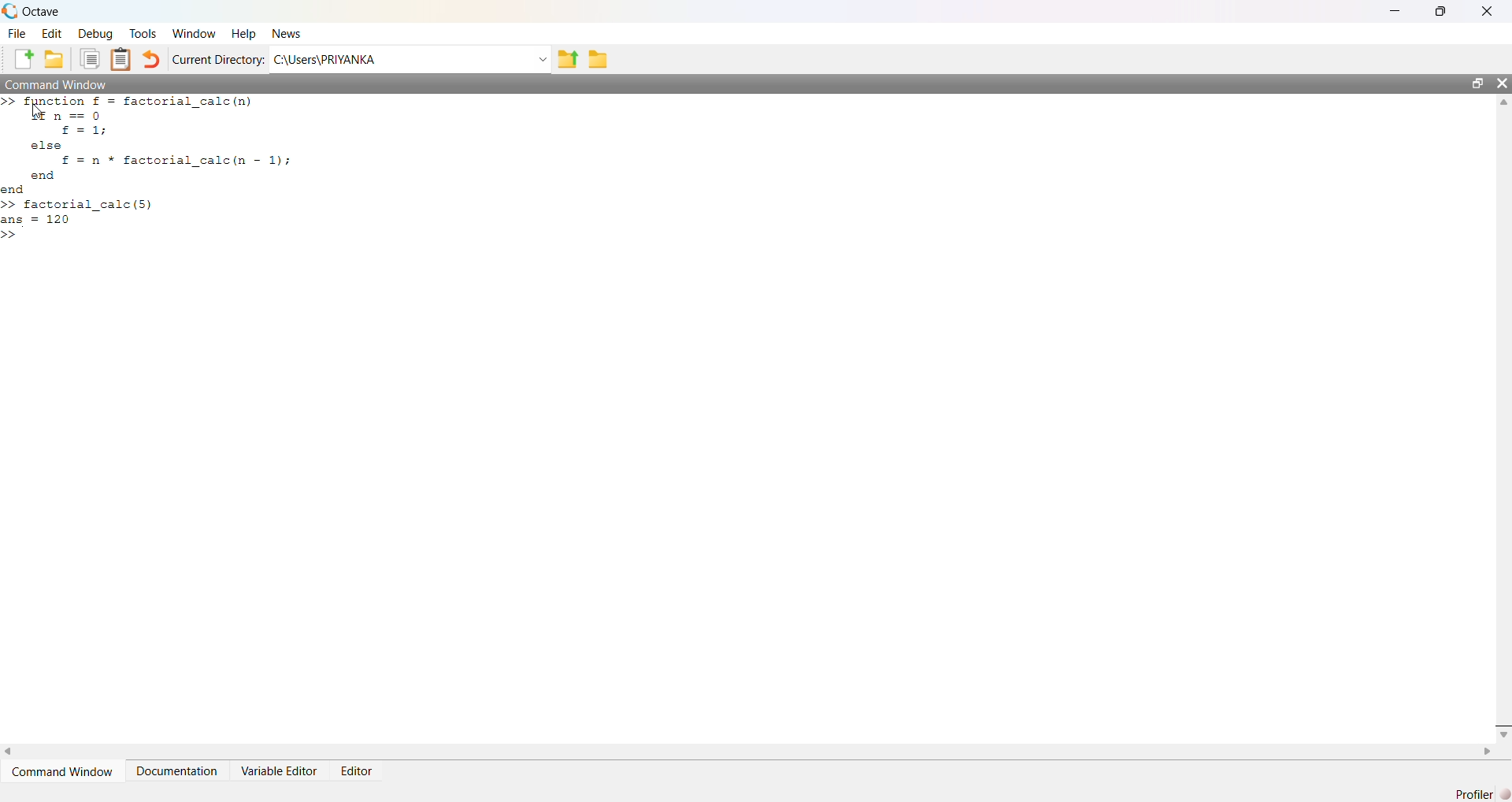 The height and width of the screenshot is (802, 1512). I want to click on help, so click(246, 35).